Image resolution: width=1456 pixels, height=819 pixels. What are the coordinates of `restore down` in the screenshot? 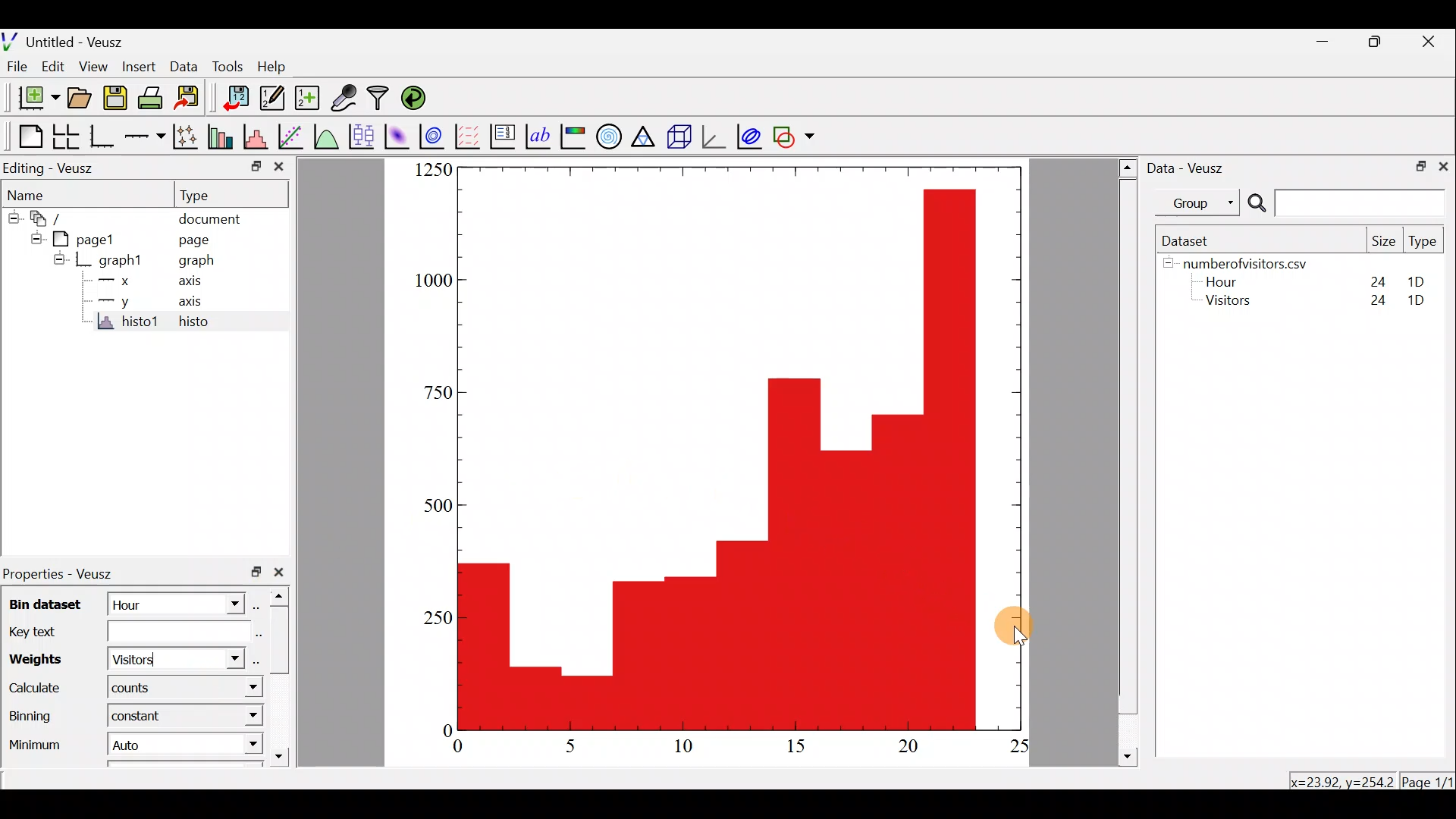 It's located at (1419, 167).